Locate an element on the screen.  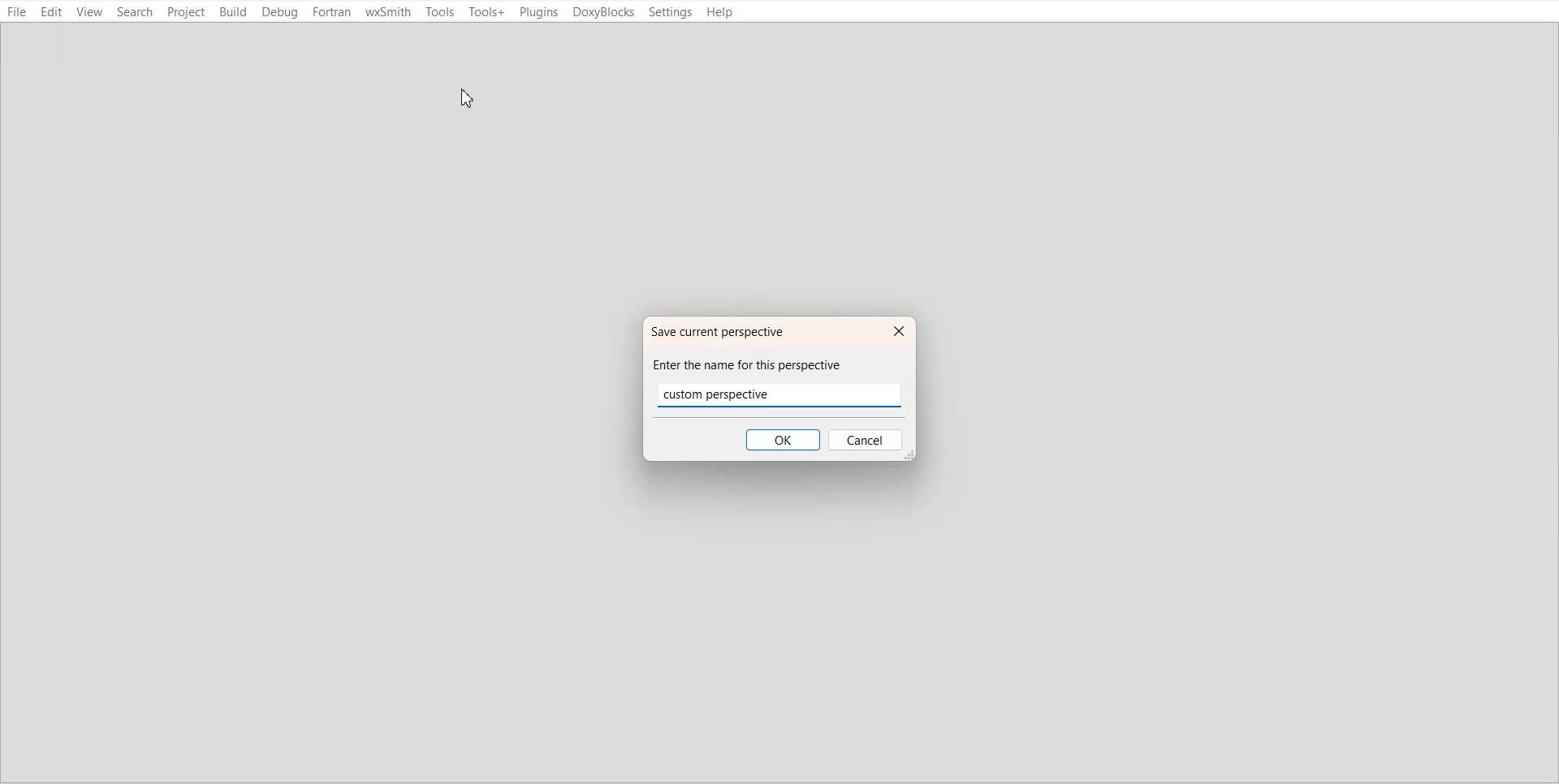
Plugins is located at coordinates (538, 13).